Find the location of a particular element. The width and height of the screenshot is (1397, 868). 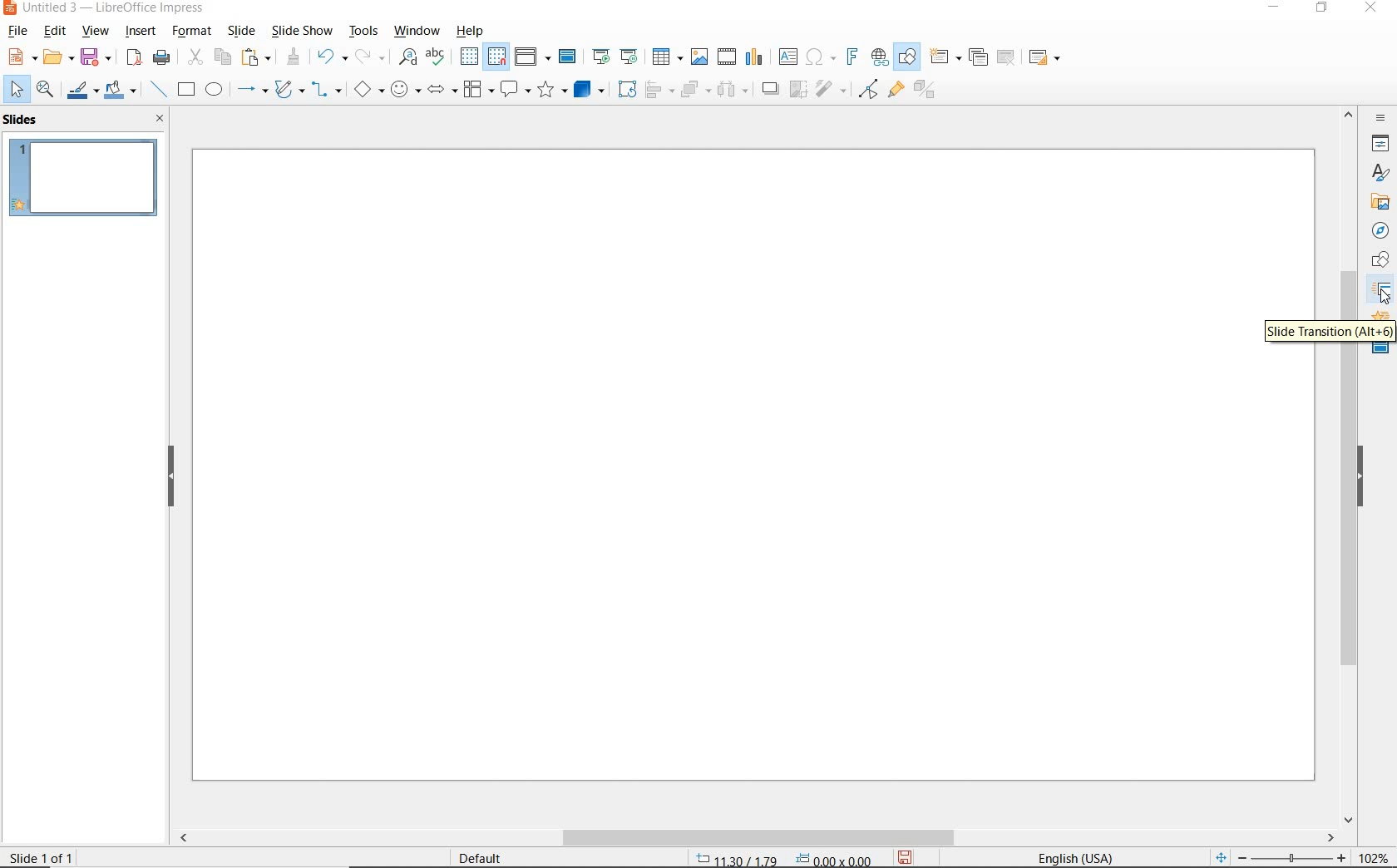

STYLES is located at coordinates (1378, 172).